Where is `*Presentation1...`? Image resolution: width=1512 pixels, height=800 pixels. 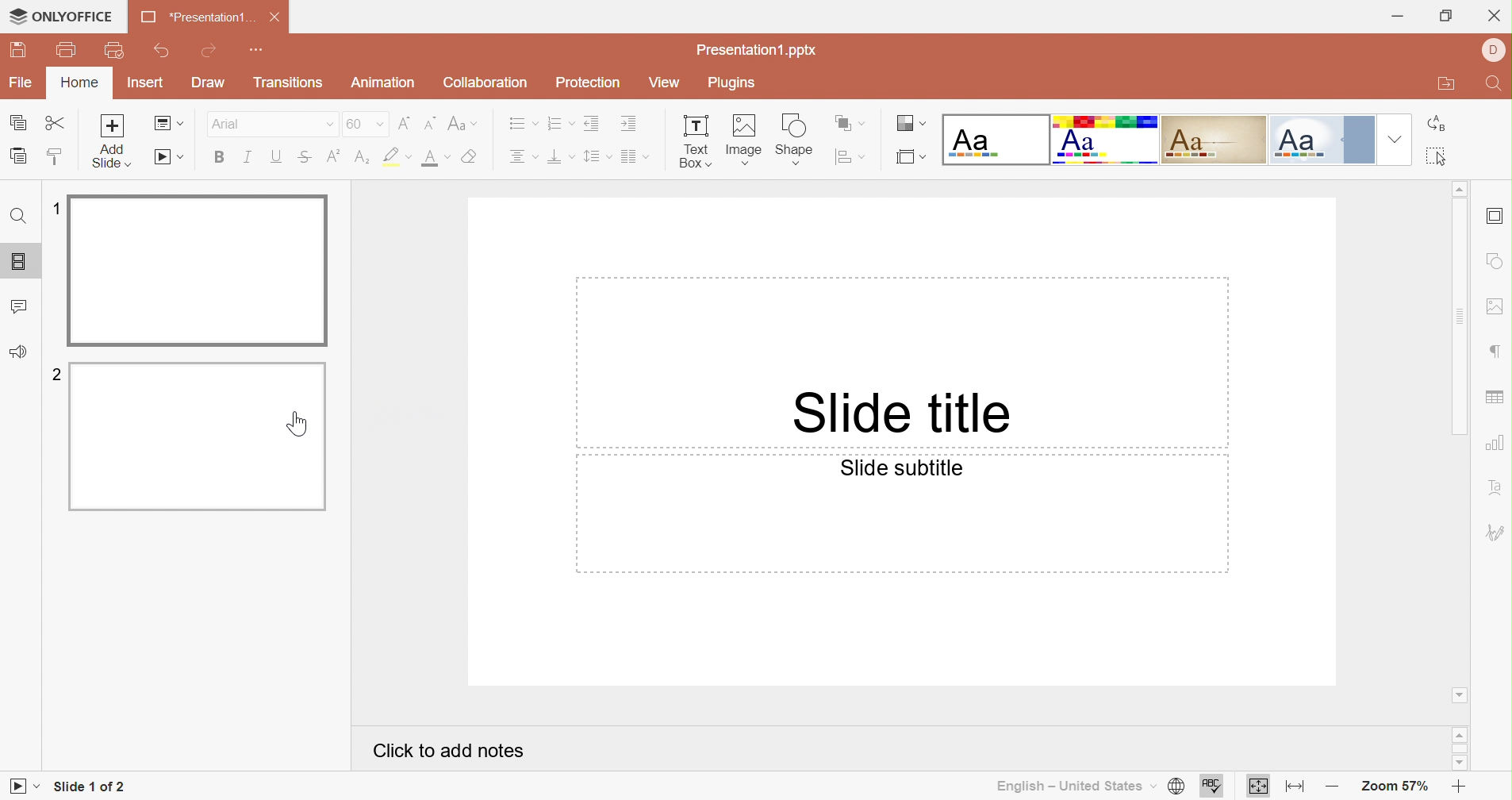
*Presentation1... is located at coordinates (198, 17).